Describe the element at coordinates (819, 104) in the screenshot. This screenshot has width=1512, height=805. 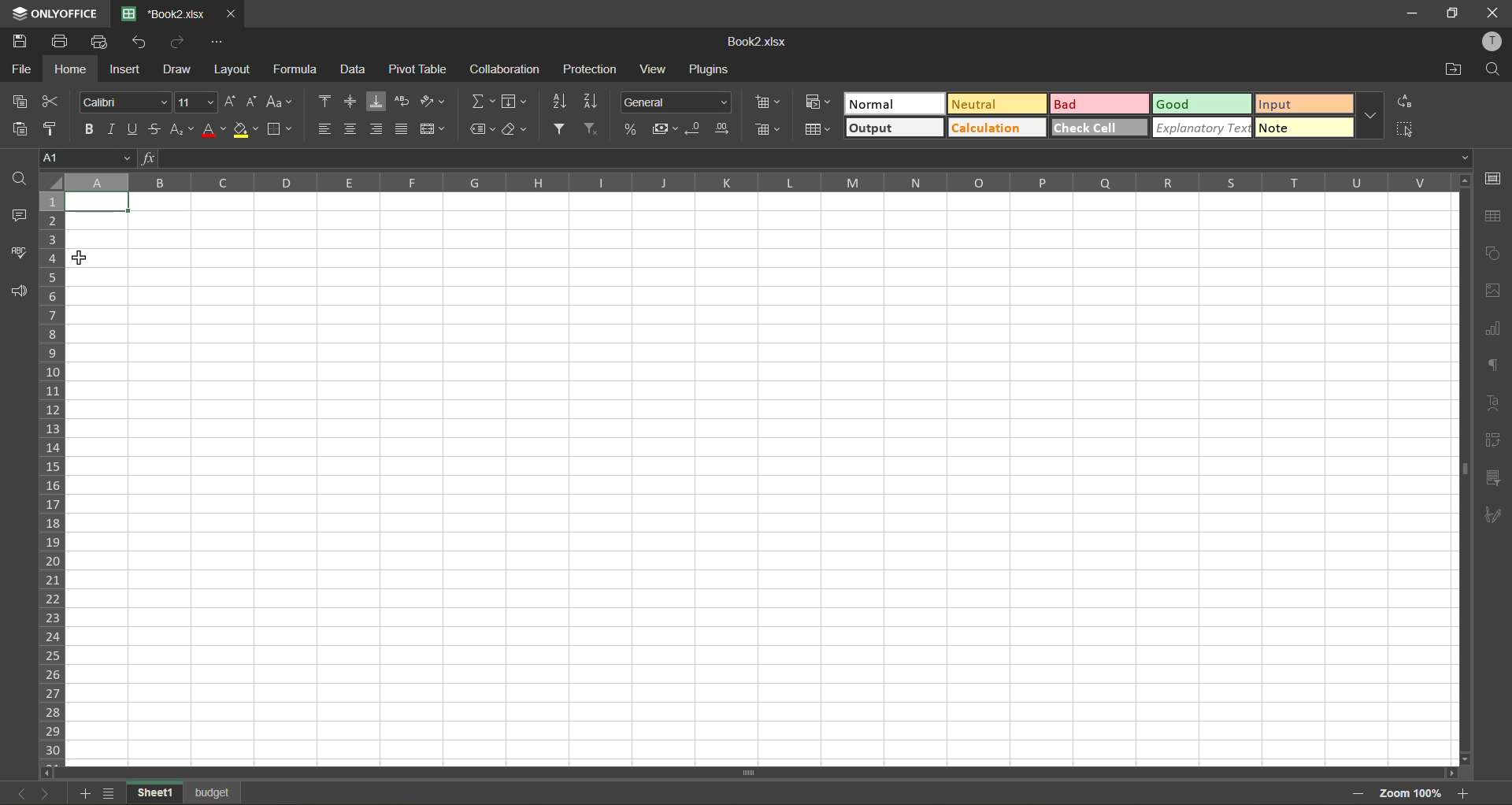
I see `conditional formatting` at that location.